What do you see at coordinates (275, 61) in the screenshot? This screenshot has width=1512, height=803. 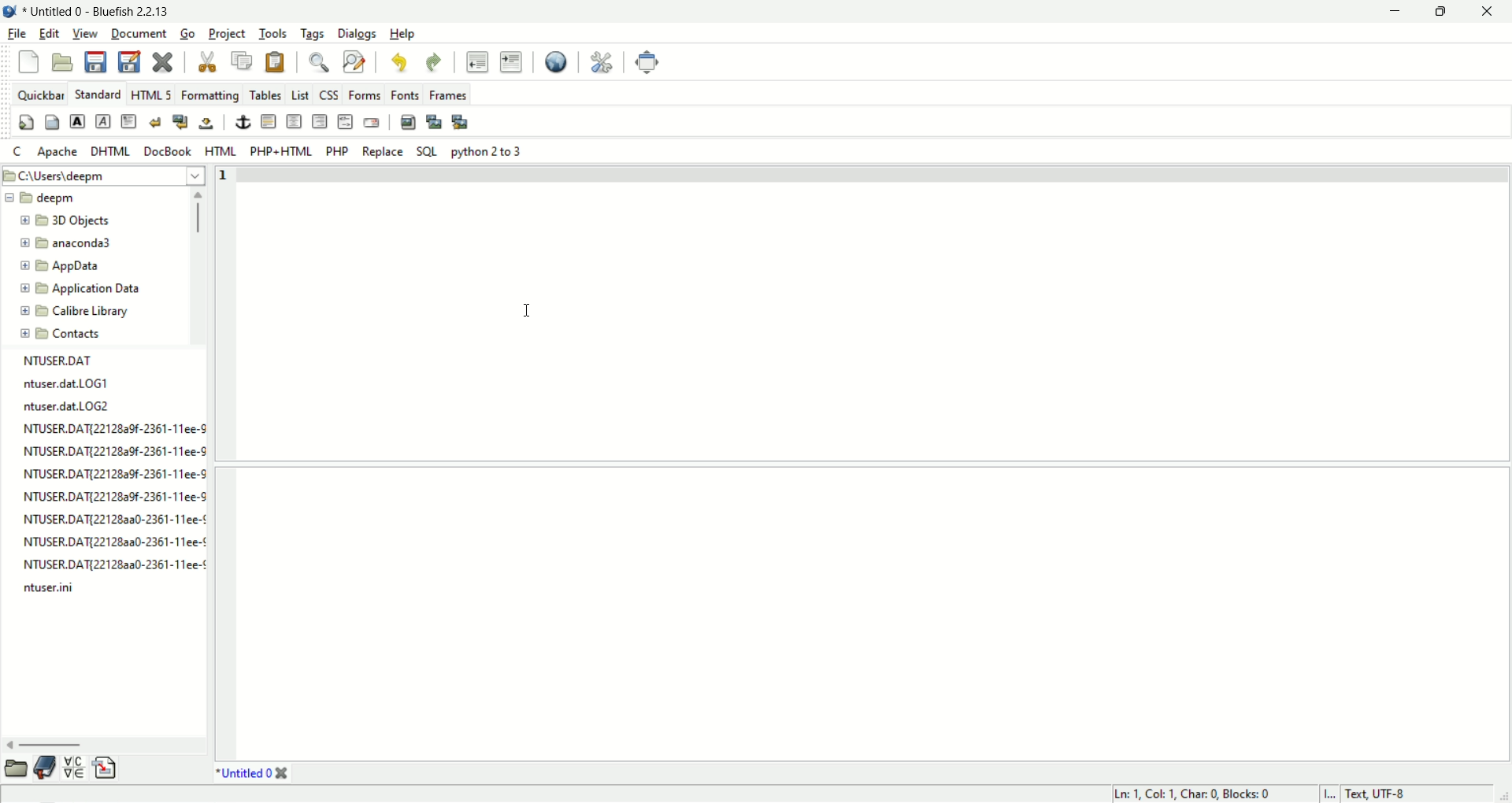 I see `paste` at bounding box center [275, 61].